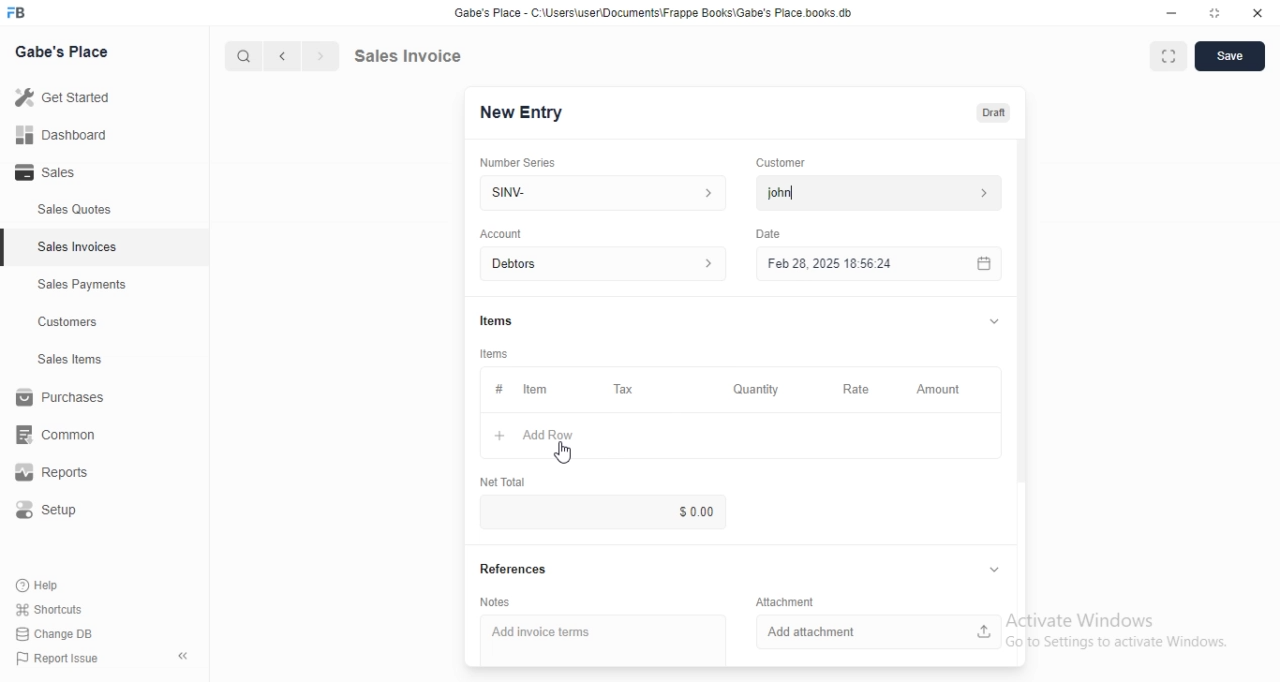 This screenshot has height=682, width=1280. What do you see at coordinates (65, 475) in the screenshot?
I see `Reports` at bounding box center [65, 475].